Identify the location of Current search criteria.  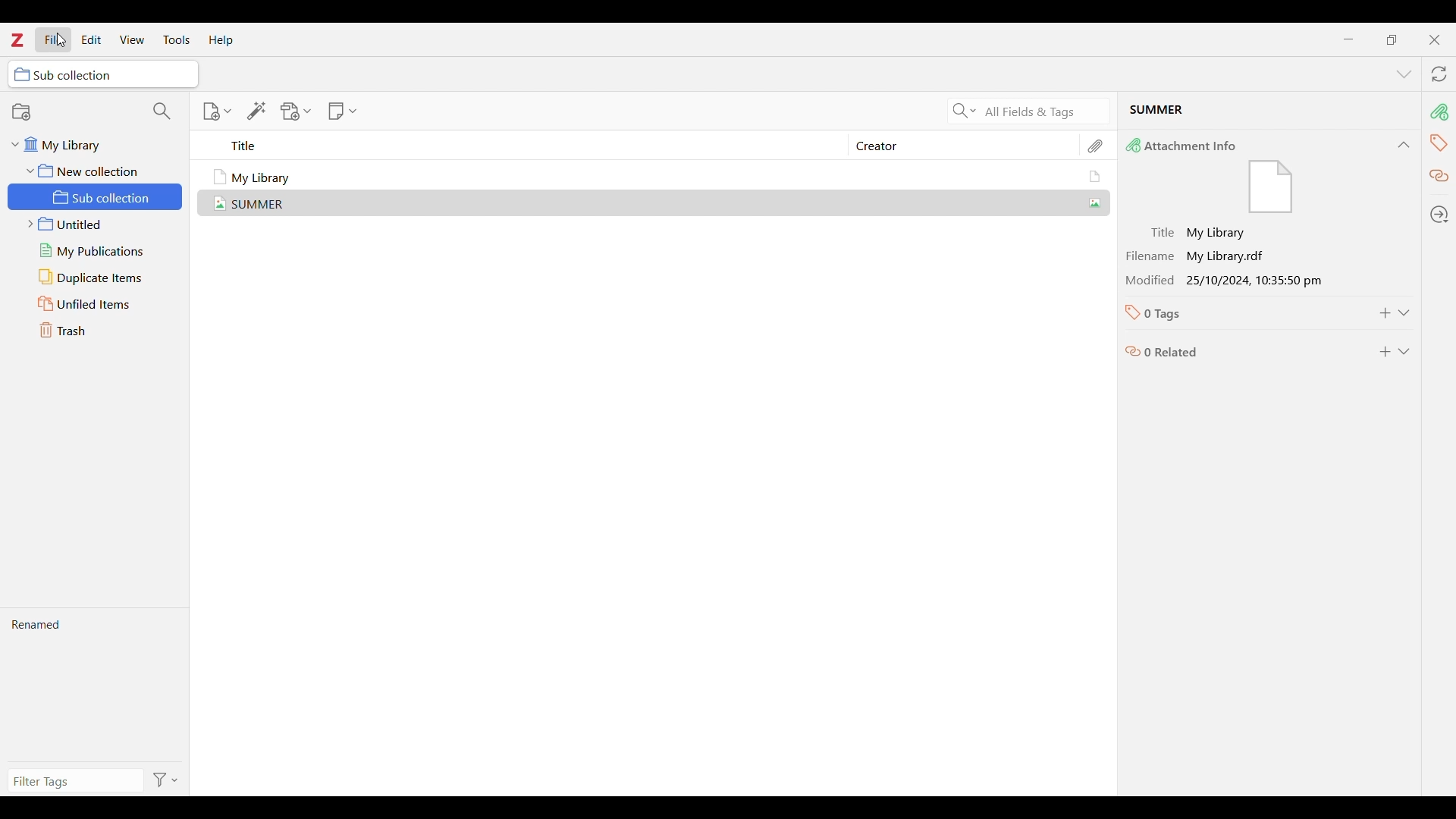
(1043, 111).